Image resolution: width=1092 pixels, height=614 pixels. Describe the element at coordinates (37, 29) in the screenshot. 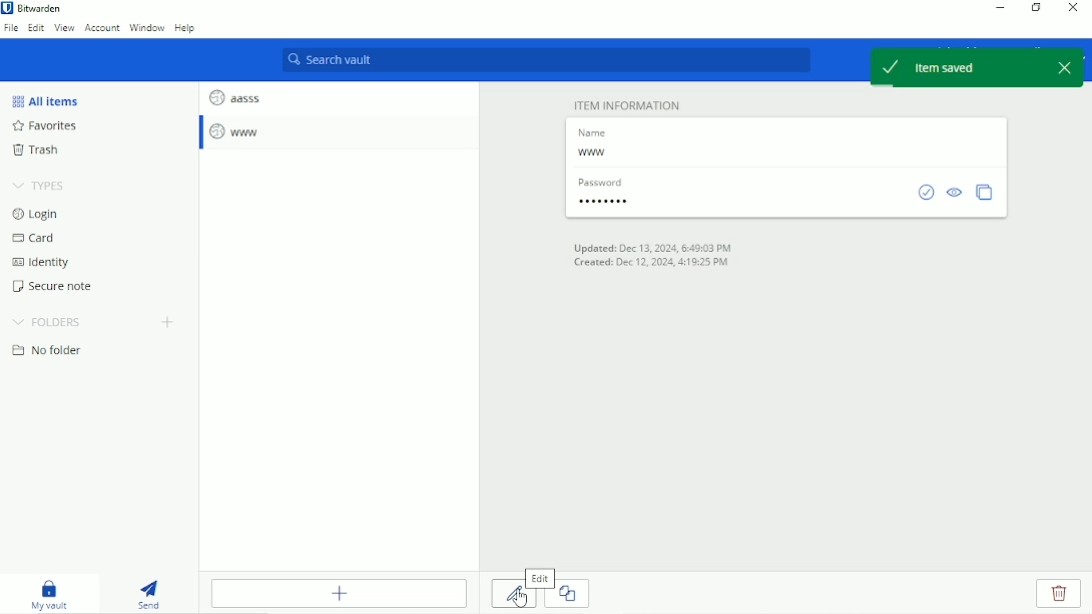

I see `Edit` at that location.